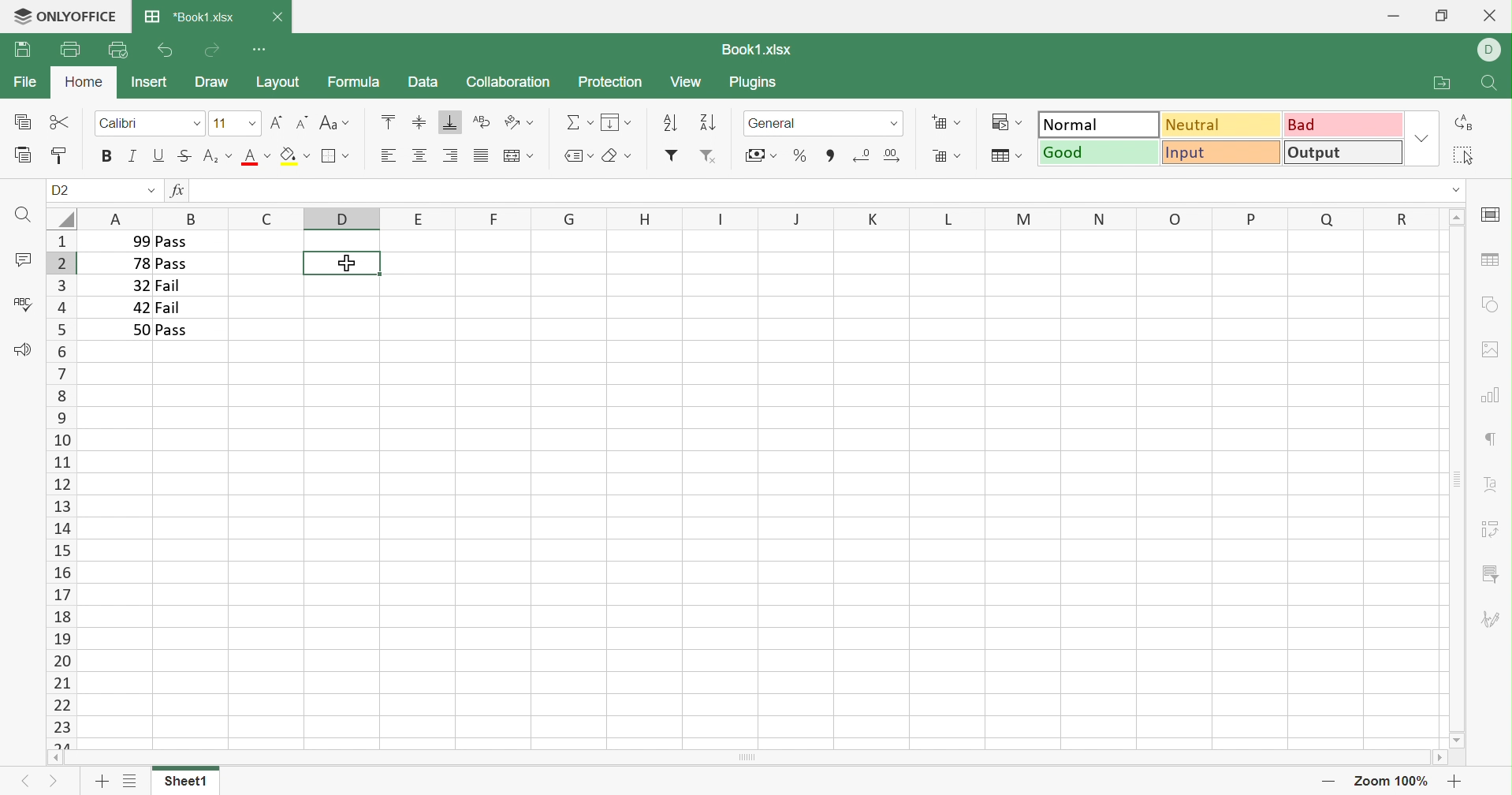 The image size is (1512, 795). What do you see at coordinates (128, 782) in the screenshot?
I see `List of sheets` at bounding box center [128, 782].